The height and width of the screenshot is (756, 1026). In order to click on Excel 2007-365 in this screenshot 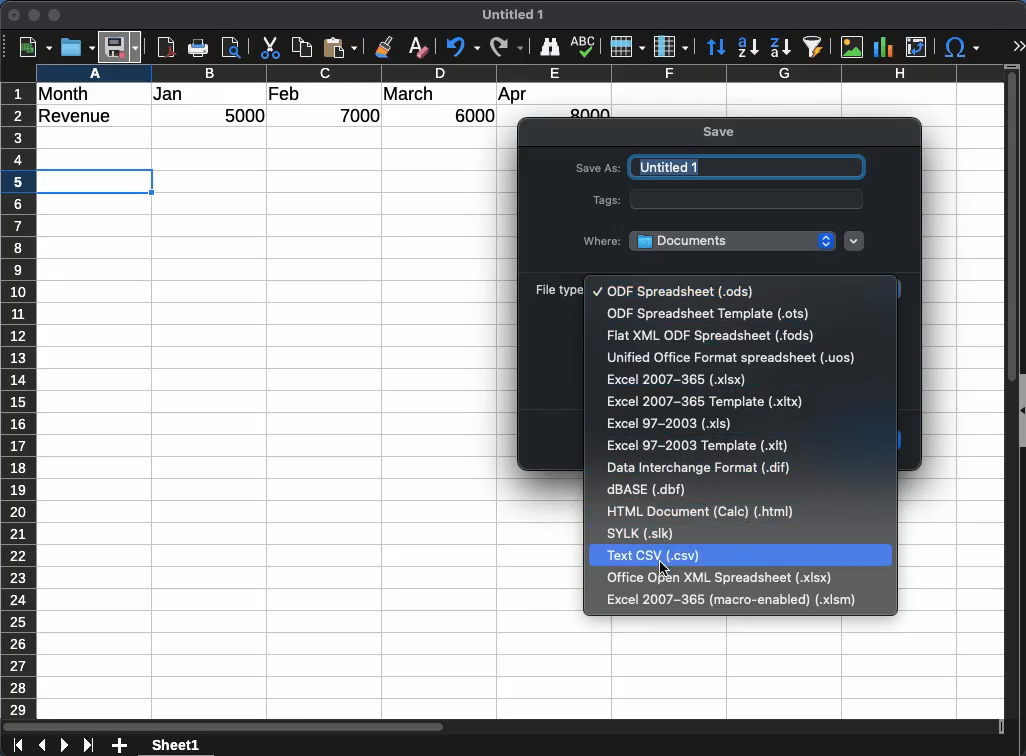, I will do `click(705, 402)`.